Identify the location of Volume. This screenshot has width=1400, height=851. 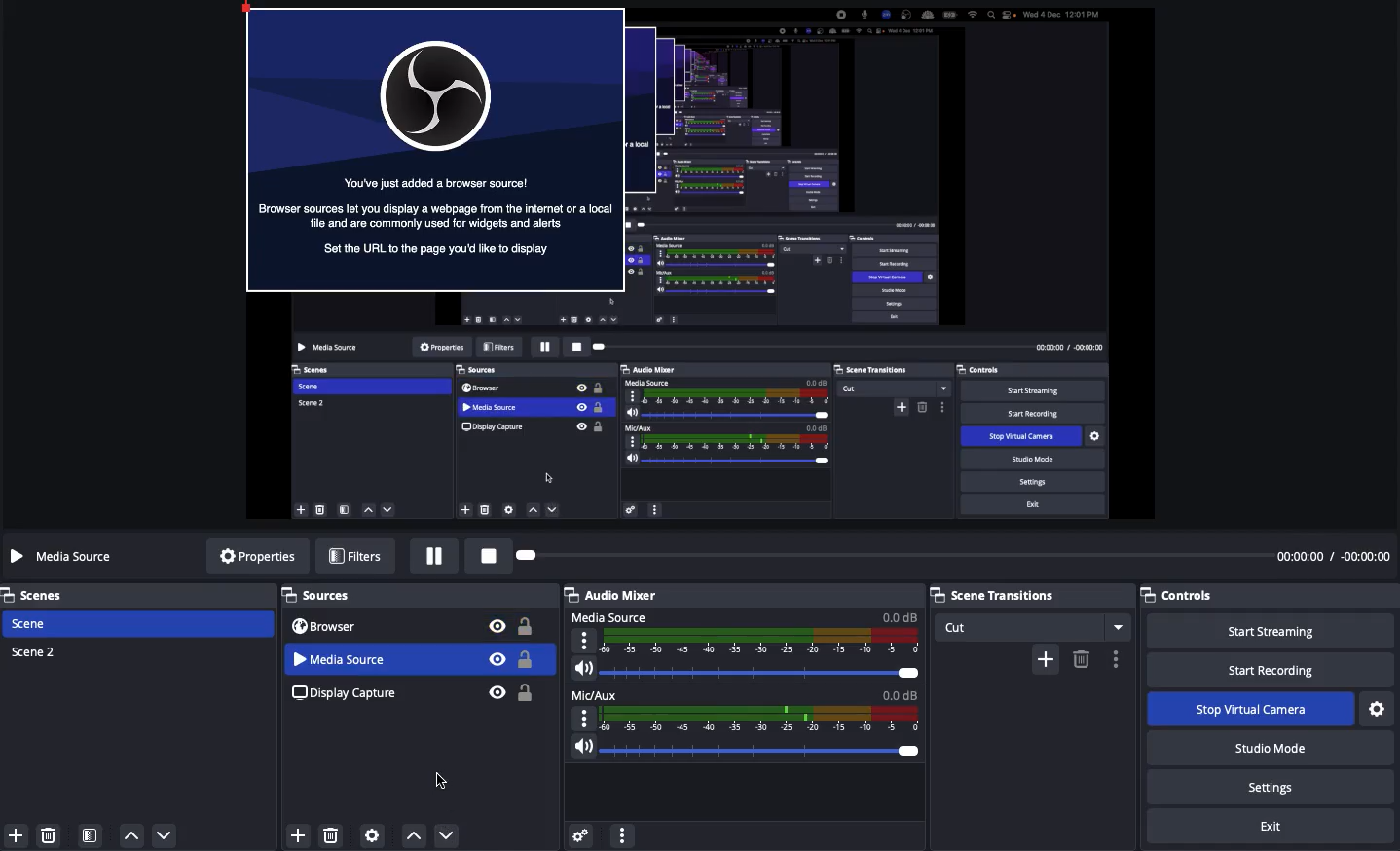
(746, 750).